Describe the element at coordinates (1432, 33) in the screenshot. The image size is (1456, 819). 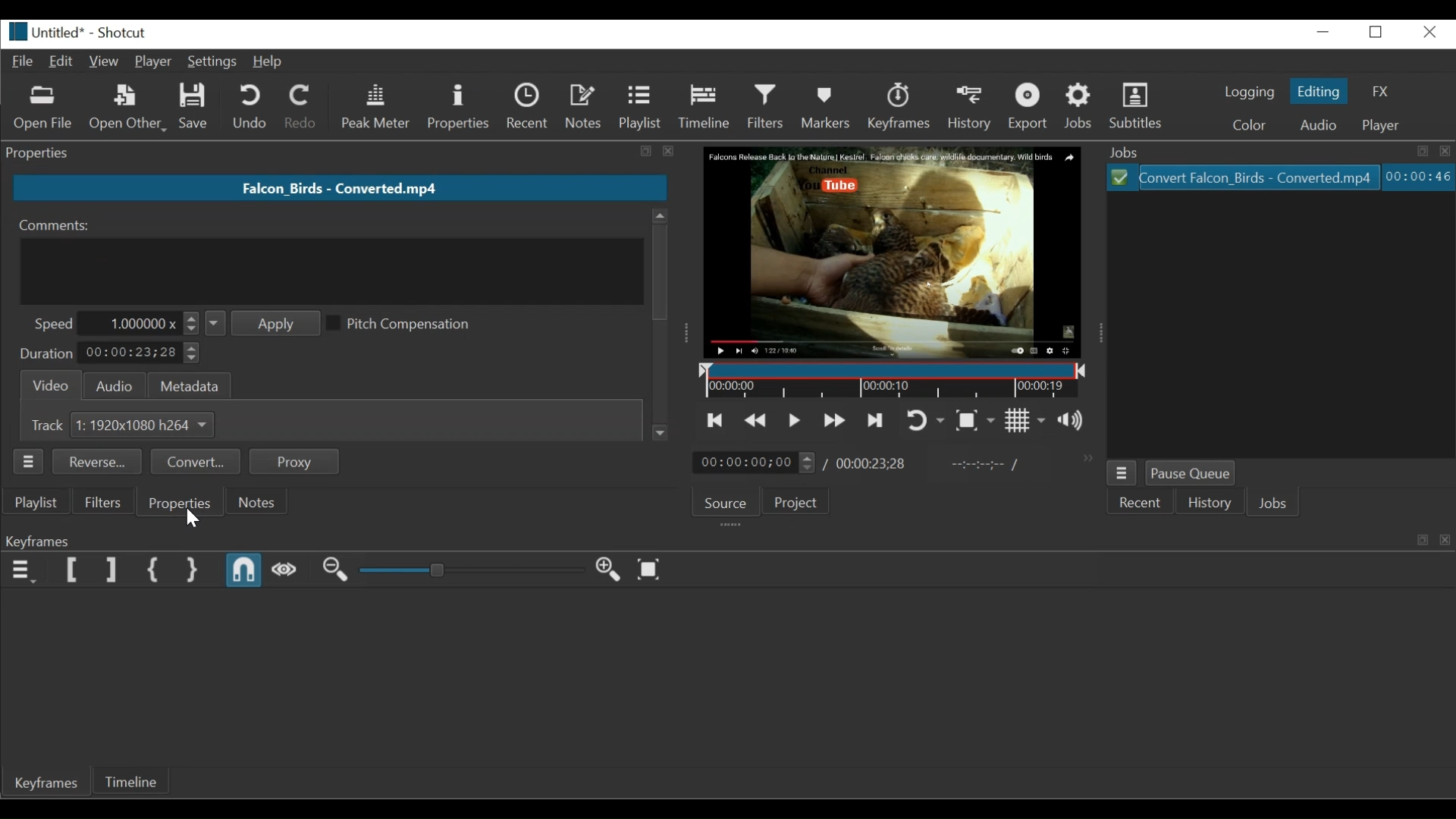
I see `Close` at that location.